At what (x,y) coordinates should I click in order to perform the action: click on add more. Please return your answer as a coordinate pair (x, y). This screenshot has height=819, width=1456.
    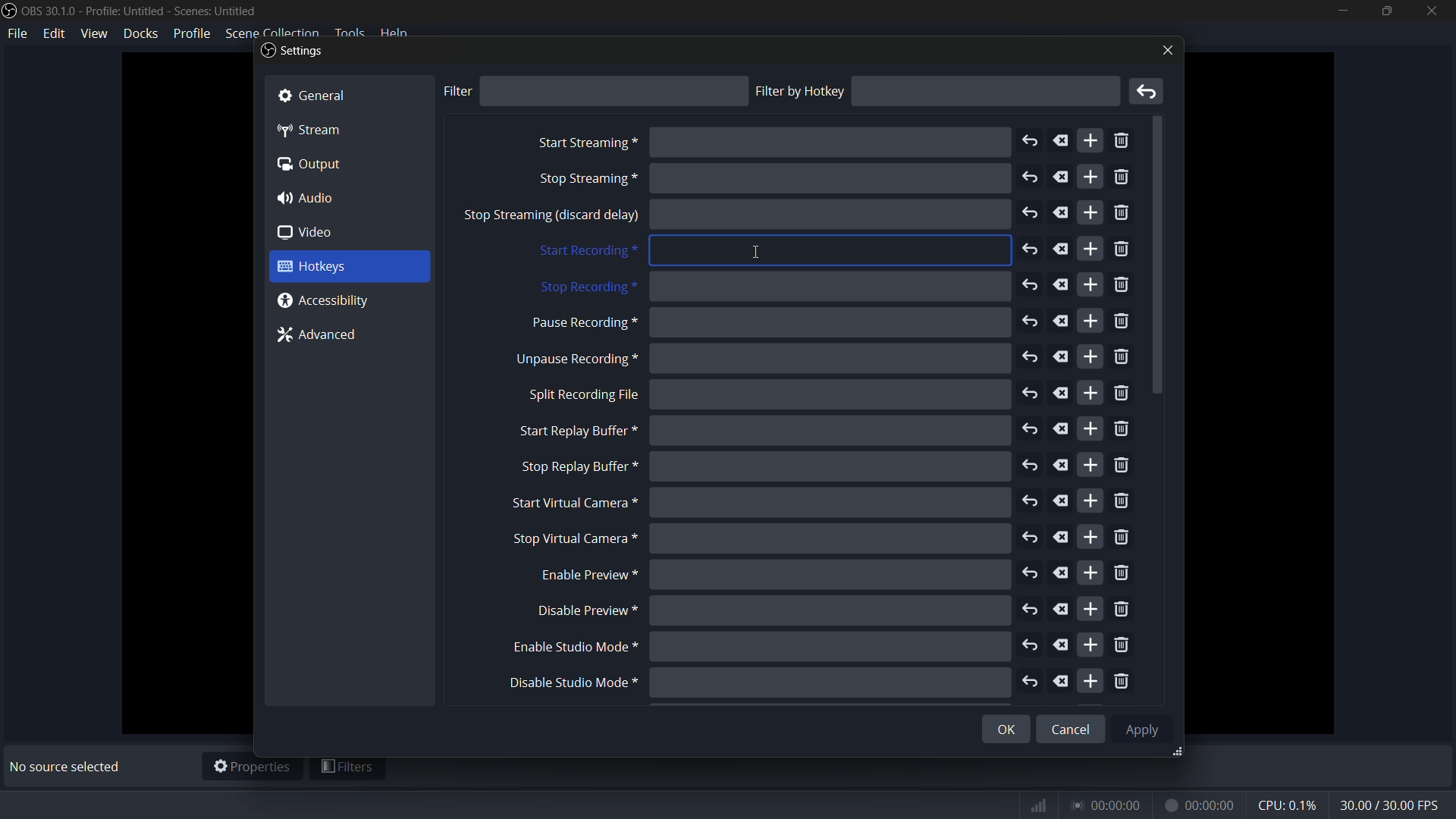
    Looking at the image, I should click on (1090, 356).